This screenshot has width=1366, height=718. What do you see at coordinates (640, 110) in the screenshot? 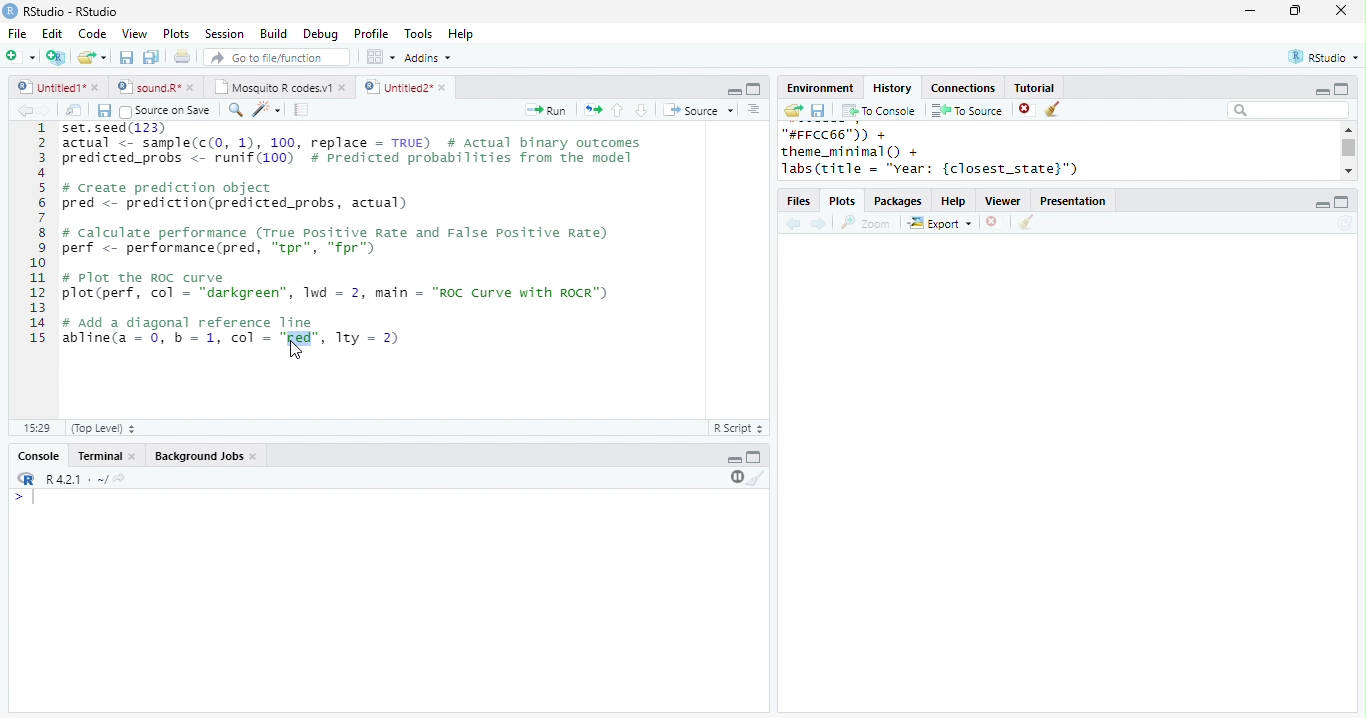
I see `down` at bounding box center [640, 110].